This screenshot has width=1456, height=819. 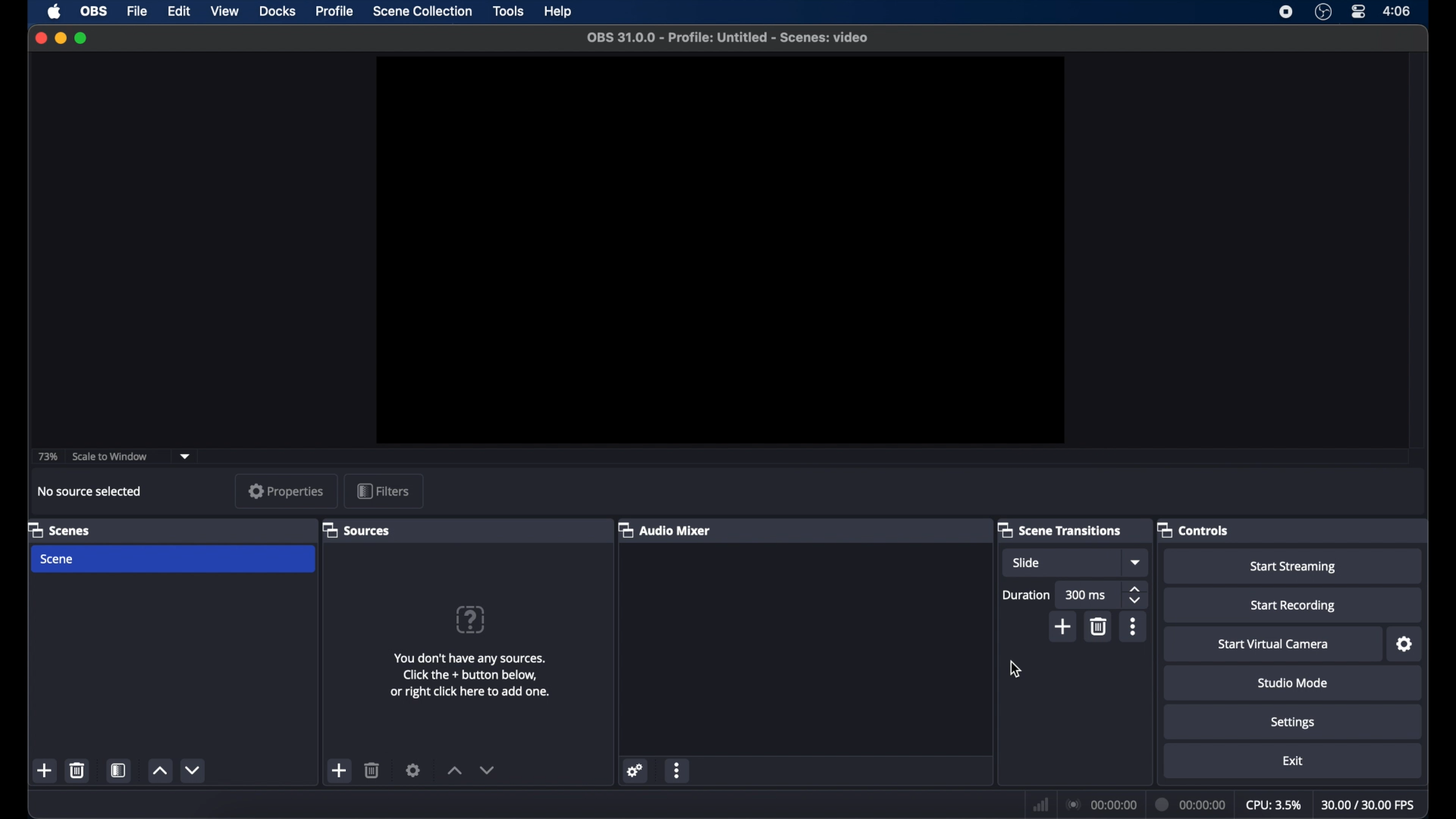 I want to click on scene filters, so click(x=119, y=770).